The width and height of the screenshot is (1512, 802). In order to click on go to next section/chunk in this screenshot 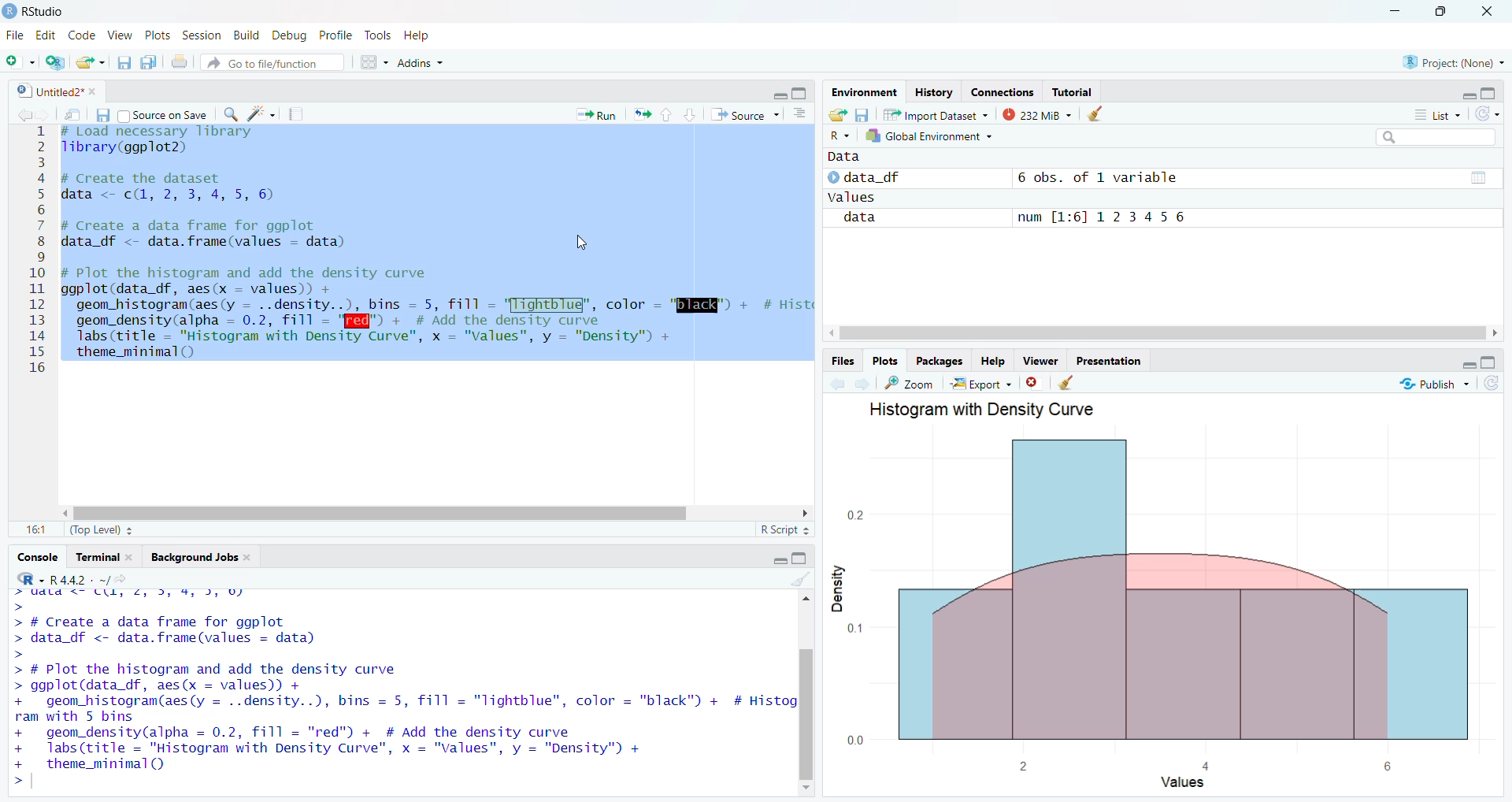, I will do `click(690, 116)`.